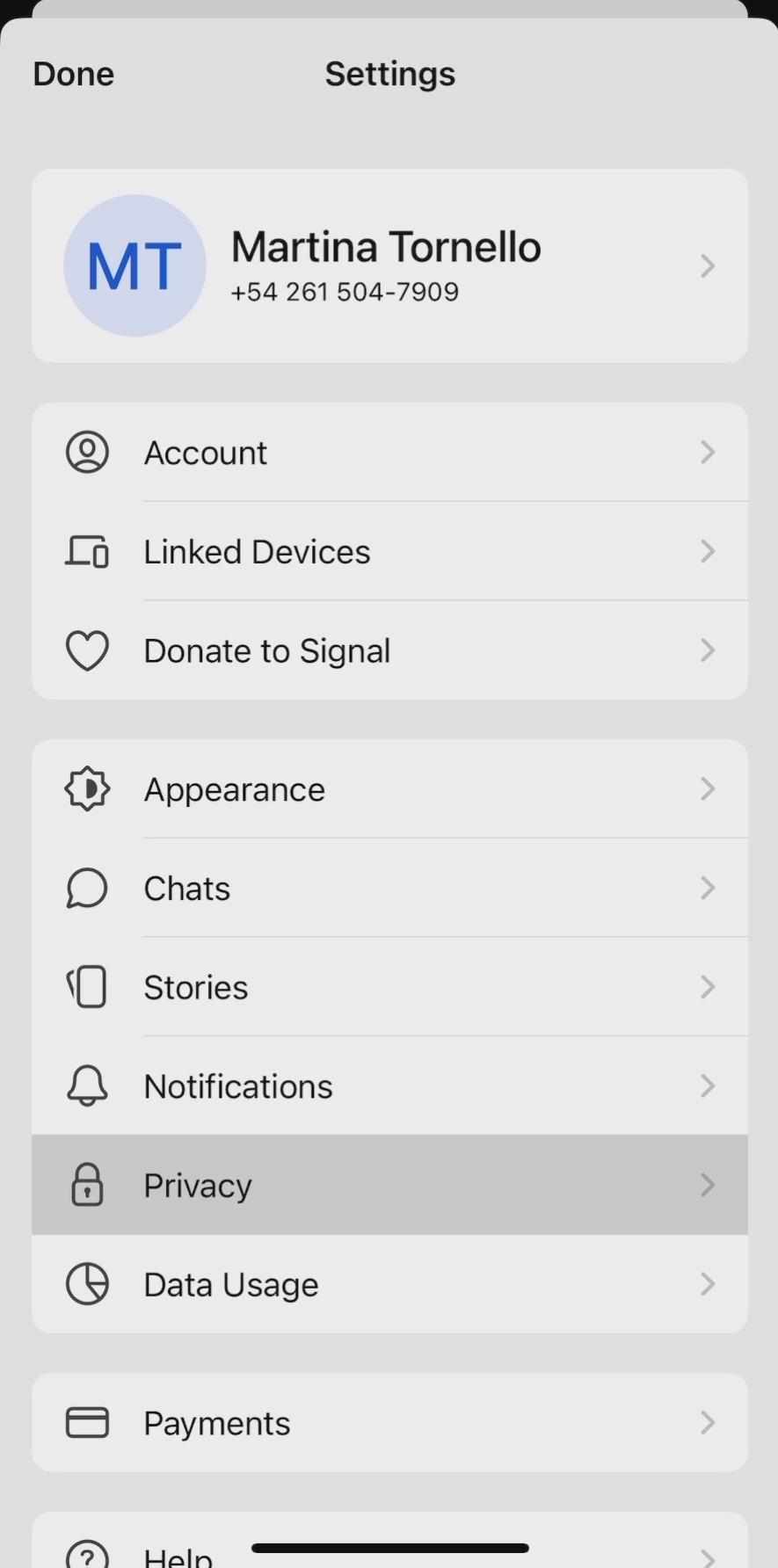 The image size is (778, 1568). What do you see at coordinates (386, 650) in the screenshot?
I see `donate to signal` at bounding box center [386, 650].